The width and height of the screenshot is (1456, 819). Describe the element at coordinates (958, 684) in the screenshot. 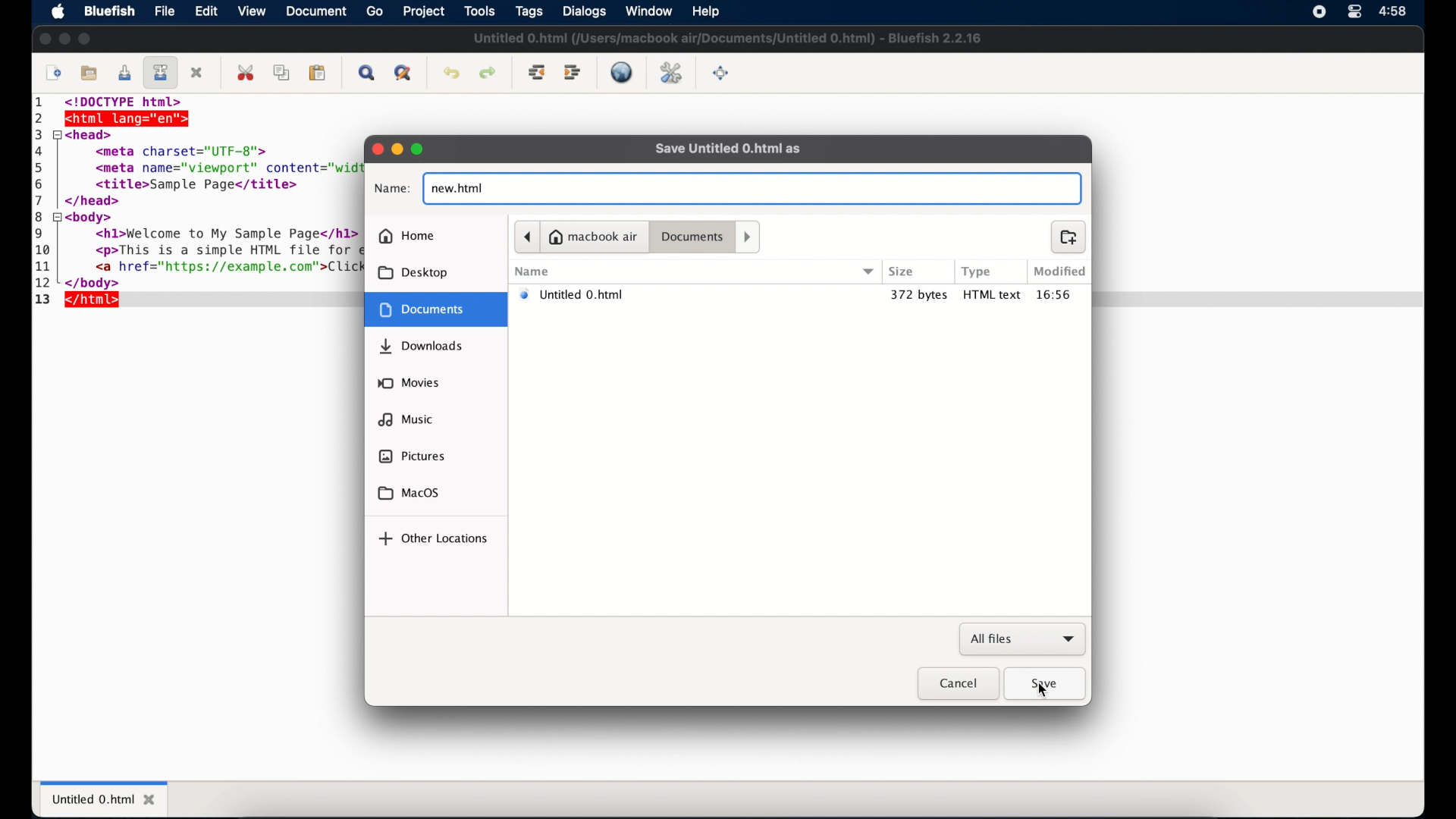

I see `cancel` at that location.